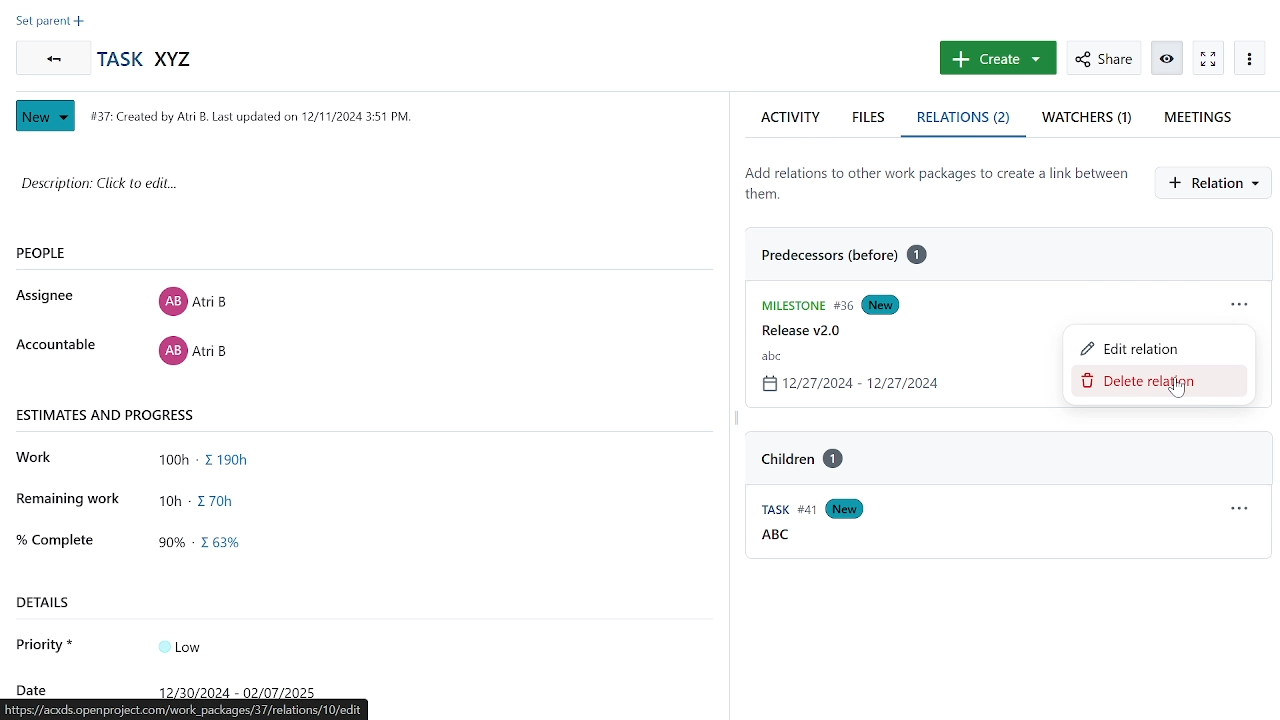 Image resolution: width=1280 pixels, height=720 pixels. I want to click on relation actions, so click(1237, 510).